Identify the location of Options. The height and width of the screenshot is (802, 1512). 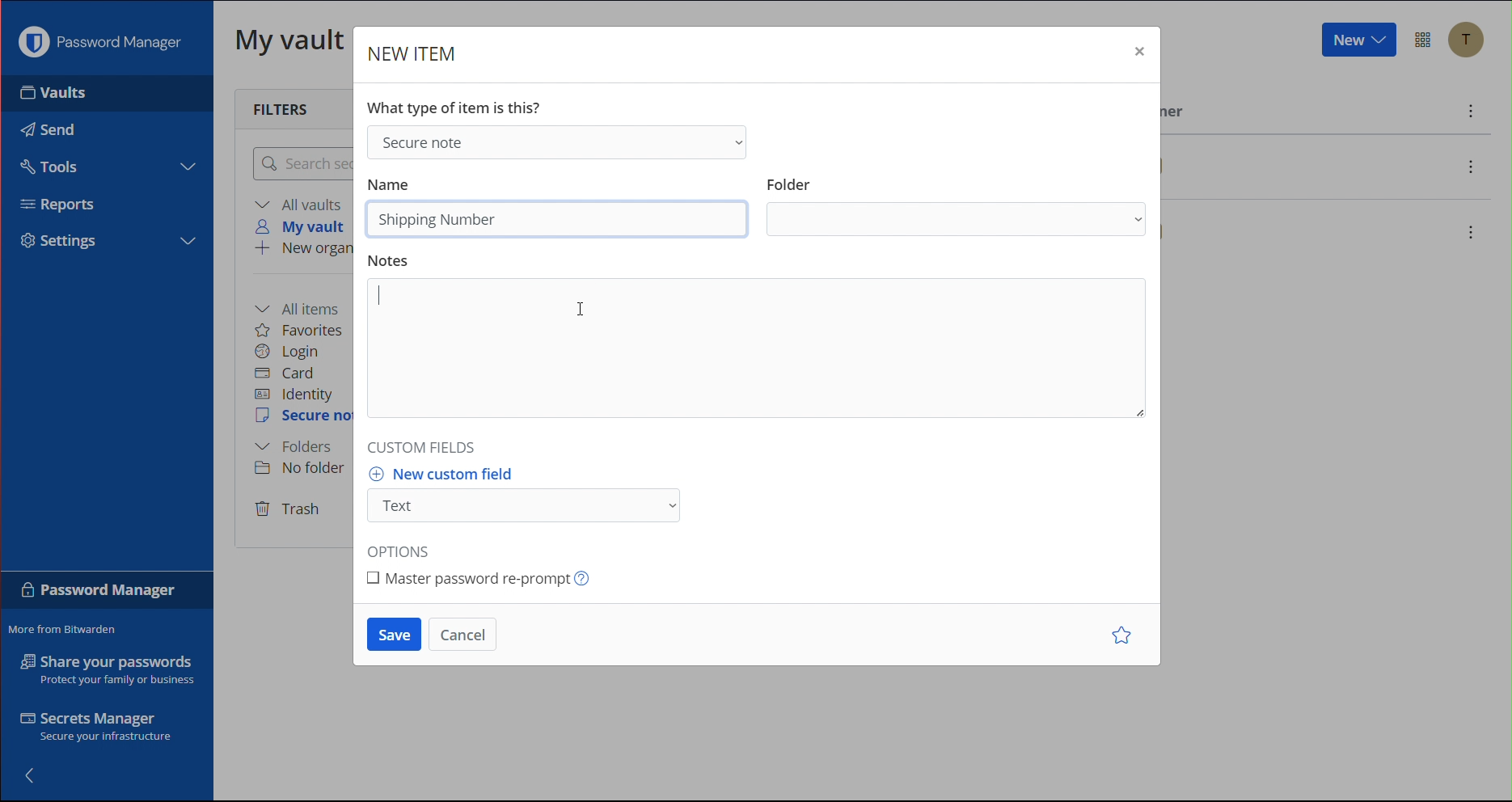
(403, 548).